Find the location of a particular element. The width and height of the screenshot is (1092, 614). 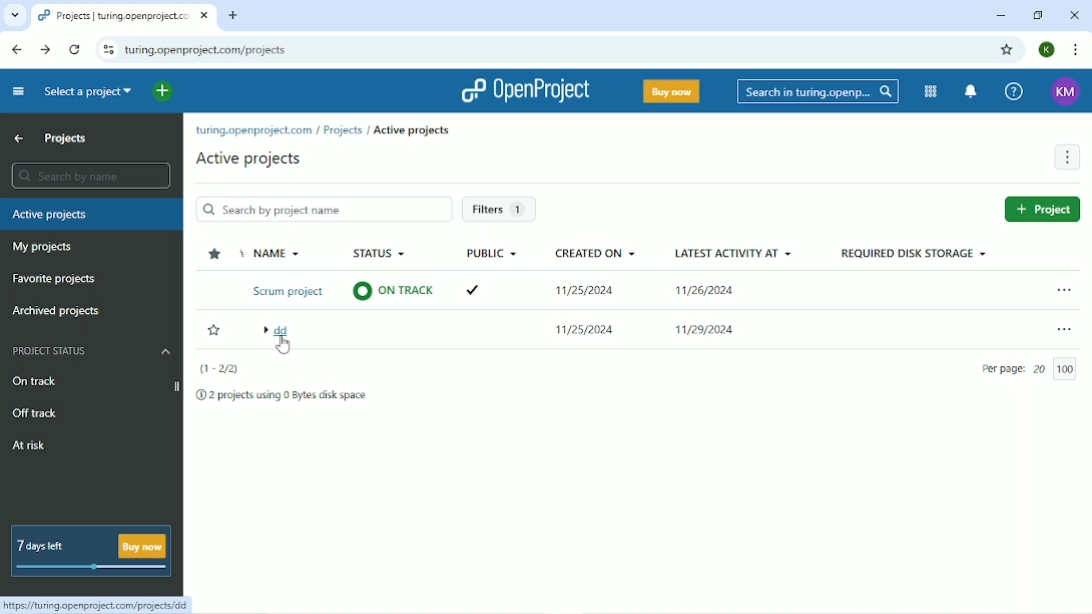

On track is located at coordinates (39, 380).